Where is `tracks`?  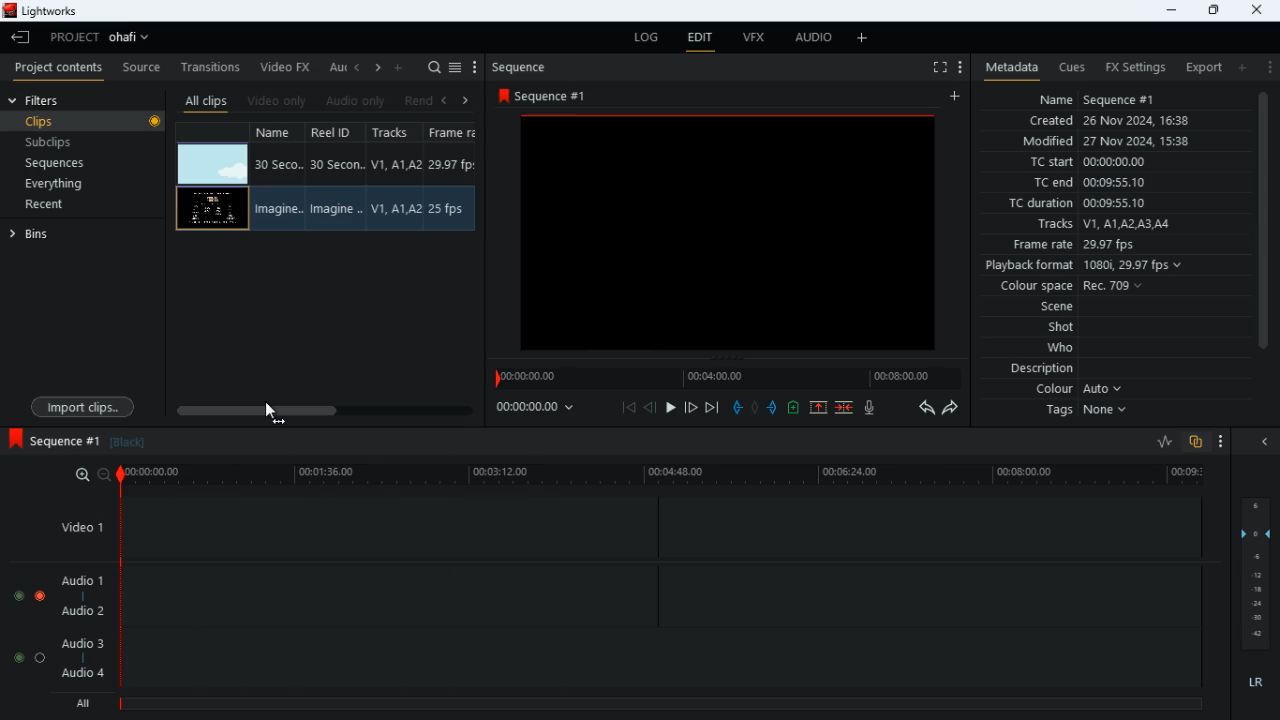 tracks is located at coordinates (1098, 225).